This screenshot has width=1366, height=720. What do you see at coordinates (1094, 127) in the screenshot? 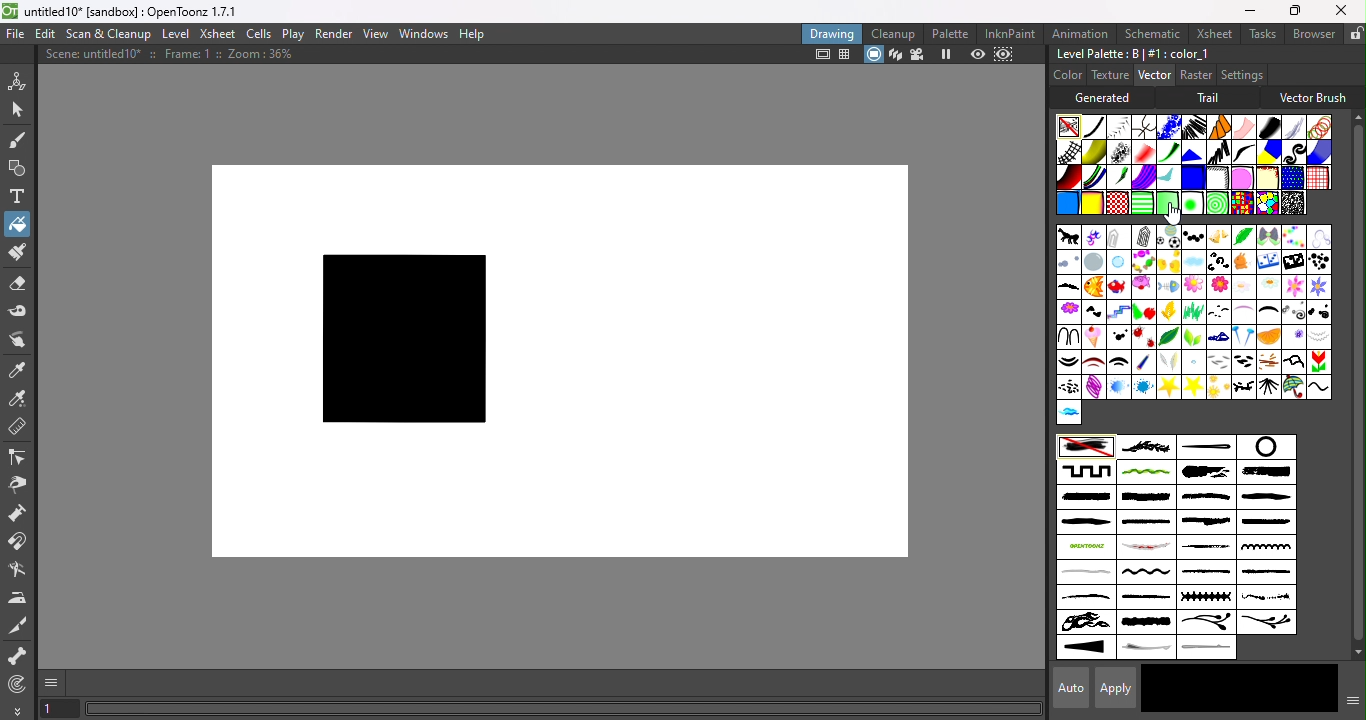
I see `Constant` at bounding box center [1094, 127].